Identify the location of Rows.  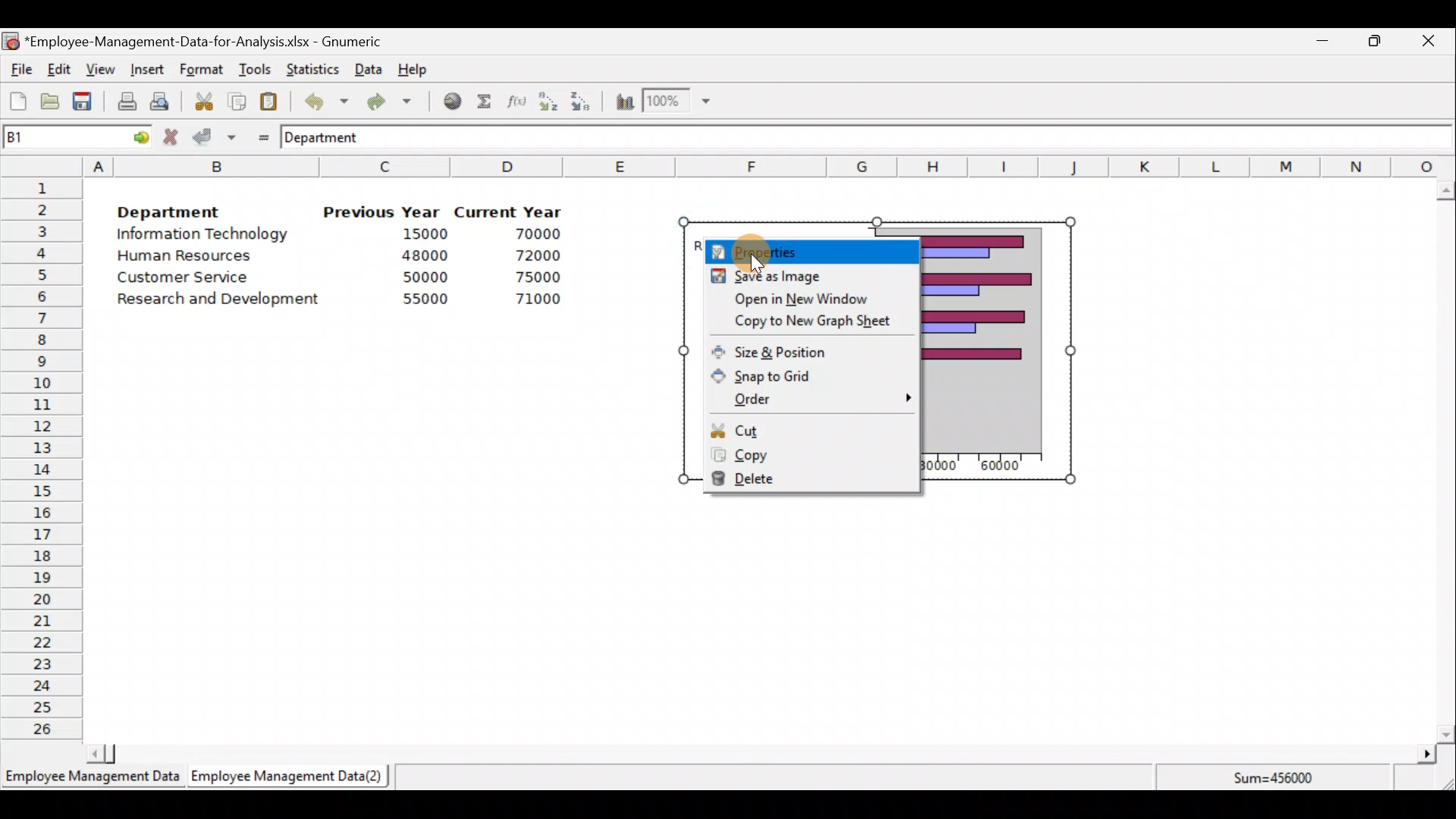
(42, 456).